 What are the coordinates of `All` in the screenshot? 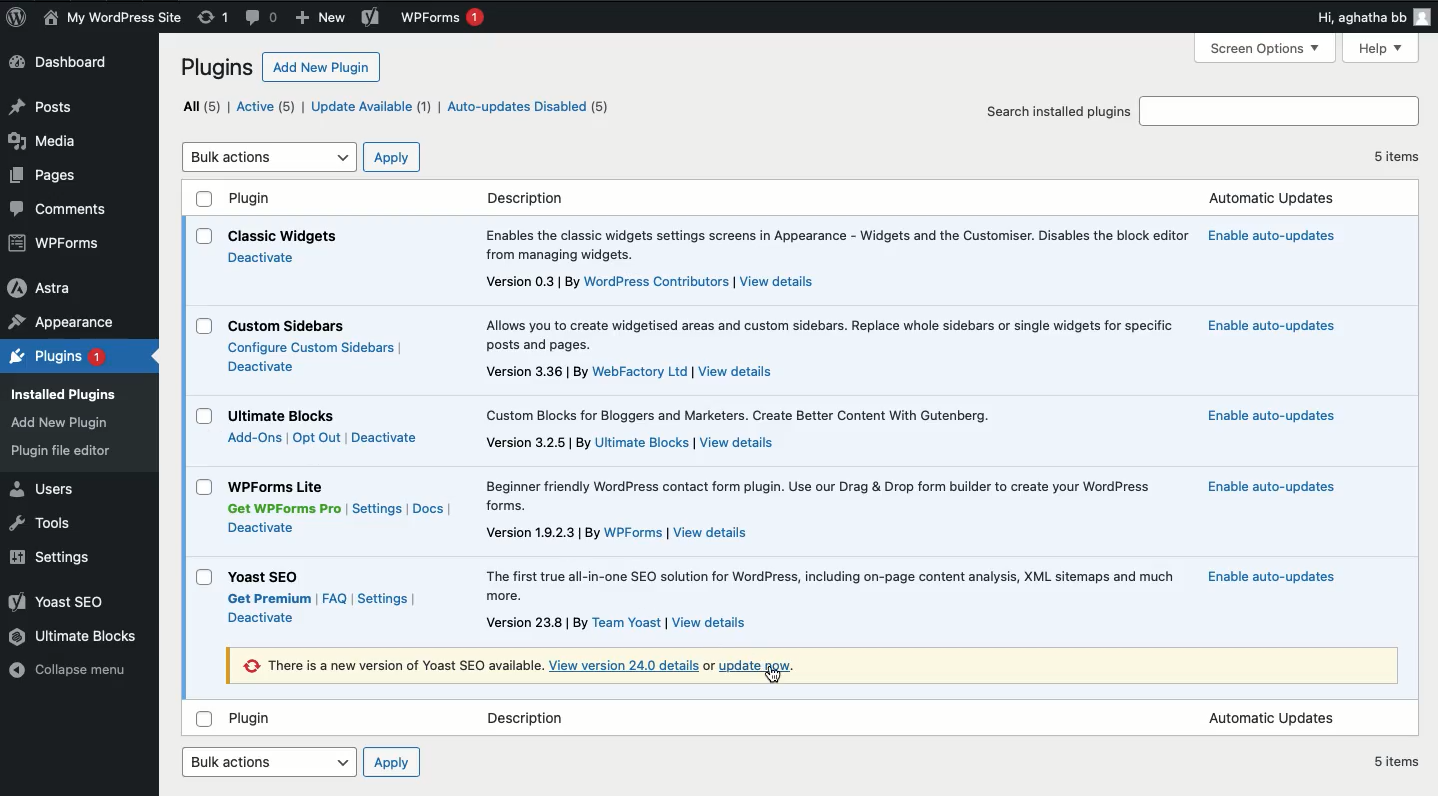 It's located at (203, 106).